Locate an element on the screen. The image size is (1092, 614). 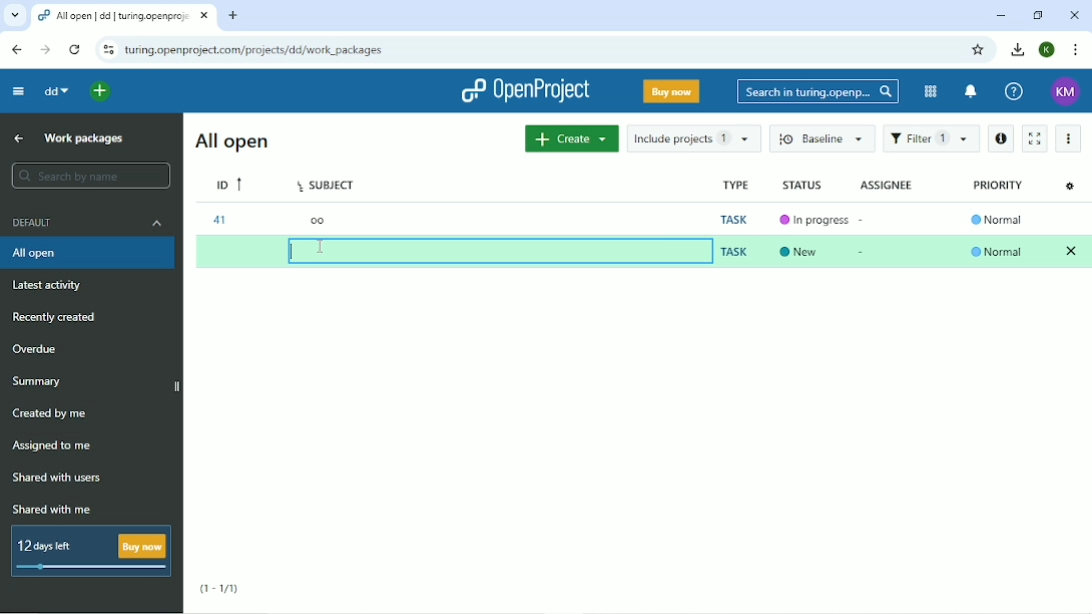
Baseline is located at coordinates (823, 139).